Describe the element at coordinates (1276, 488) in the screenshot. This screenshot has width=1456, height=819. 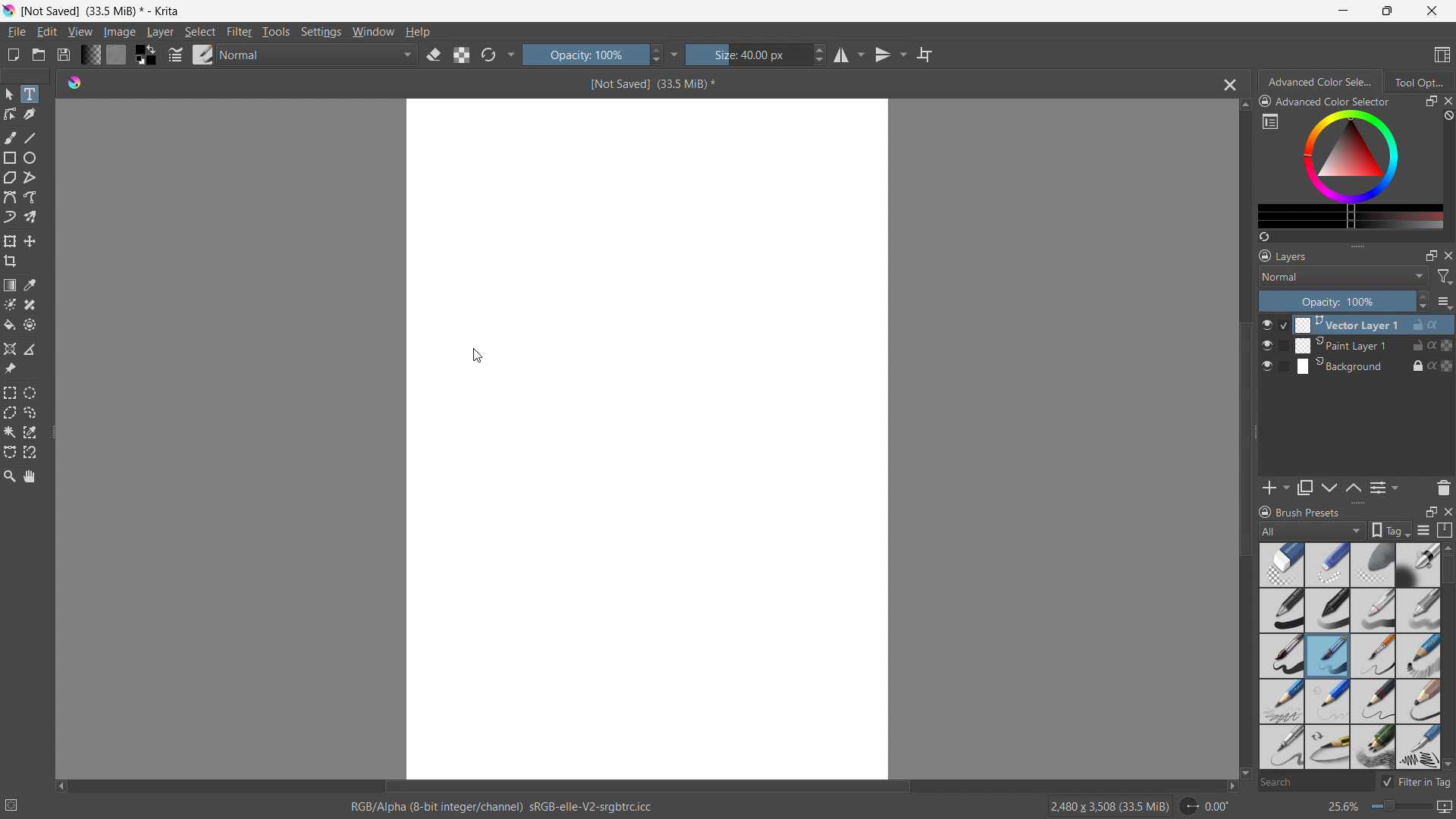
I see `add layer` at that location.